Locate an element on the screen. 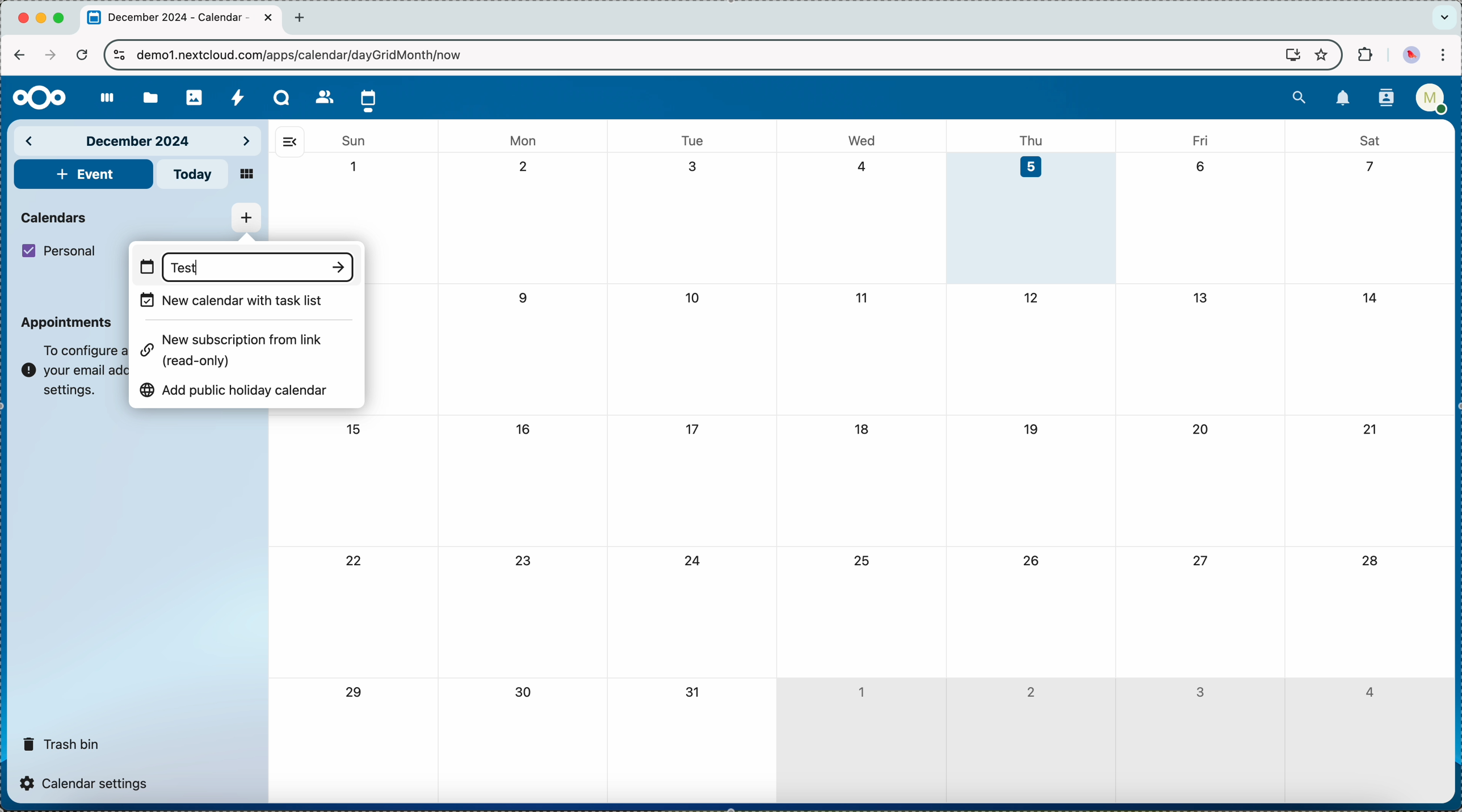 The height and width of the screenshot is (812, 1462). tab is located at coordinates (182, 19).